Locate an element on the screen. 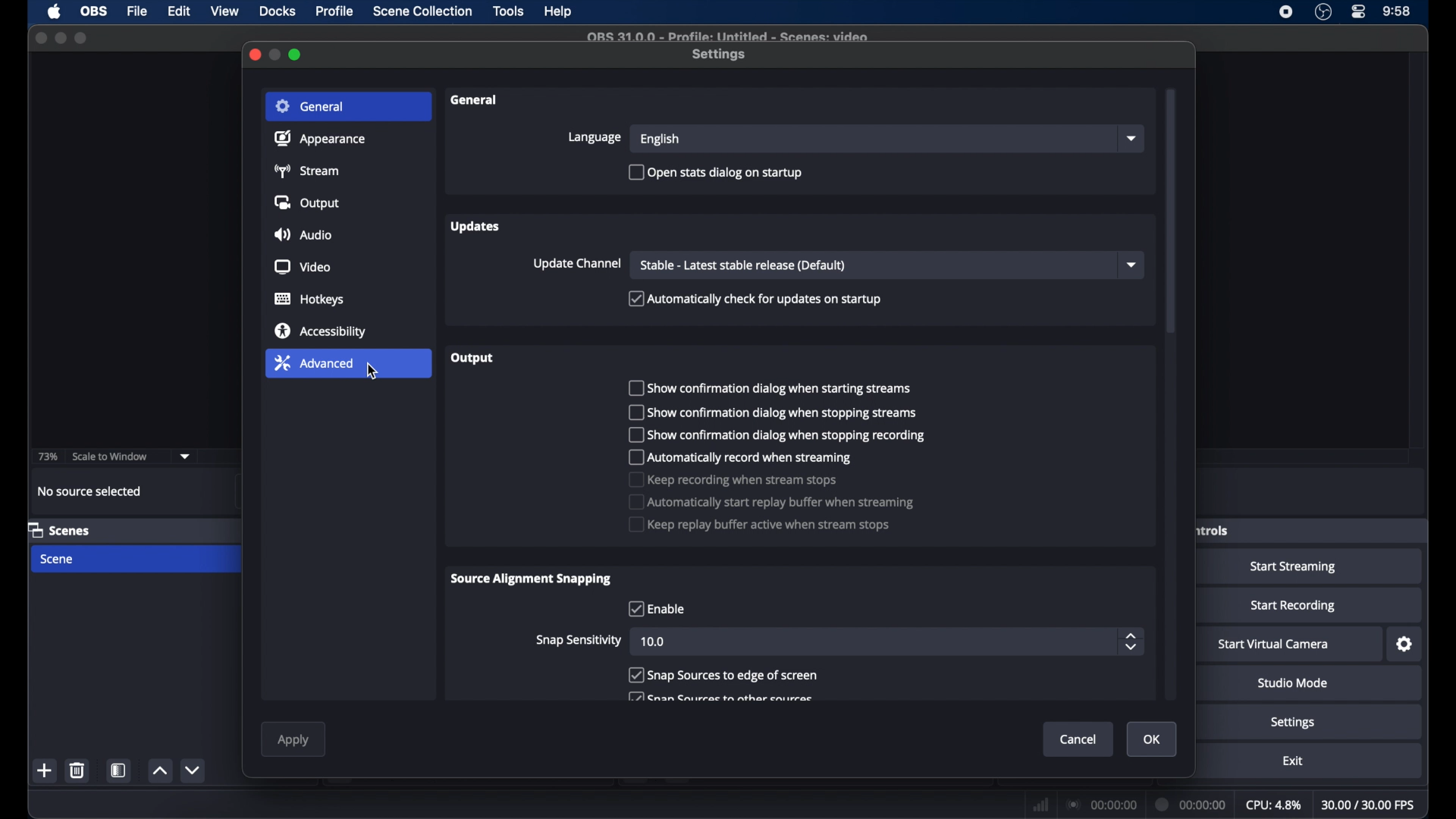 The image size is (1456, 819). stepper buttons is located at coordinates (1130, 642).